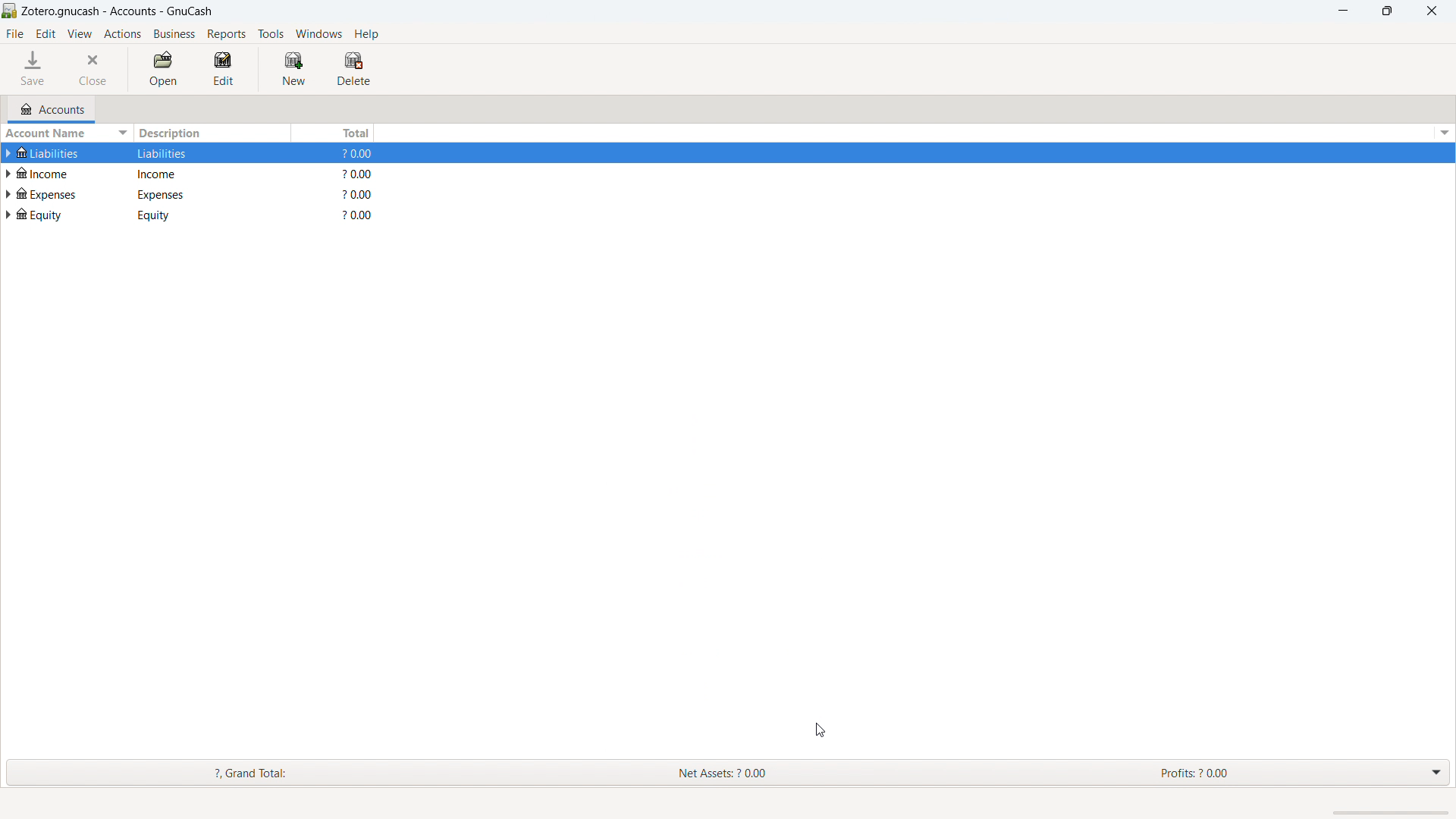 Image resolution: width=1456 pixels, height=819 pixels. I want to click on cursor, so click(818, 730).